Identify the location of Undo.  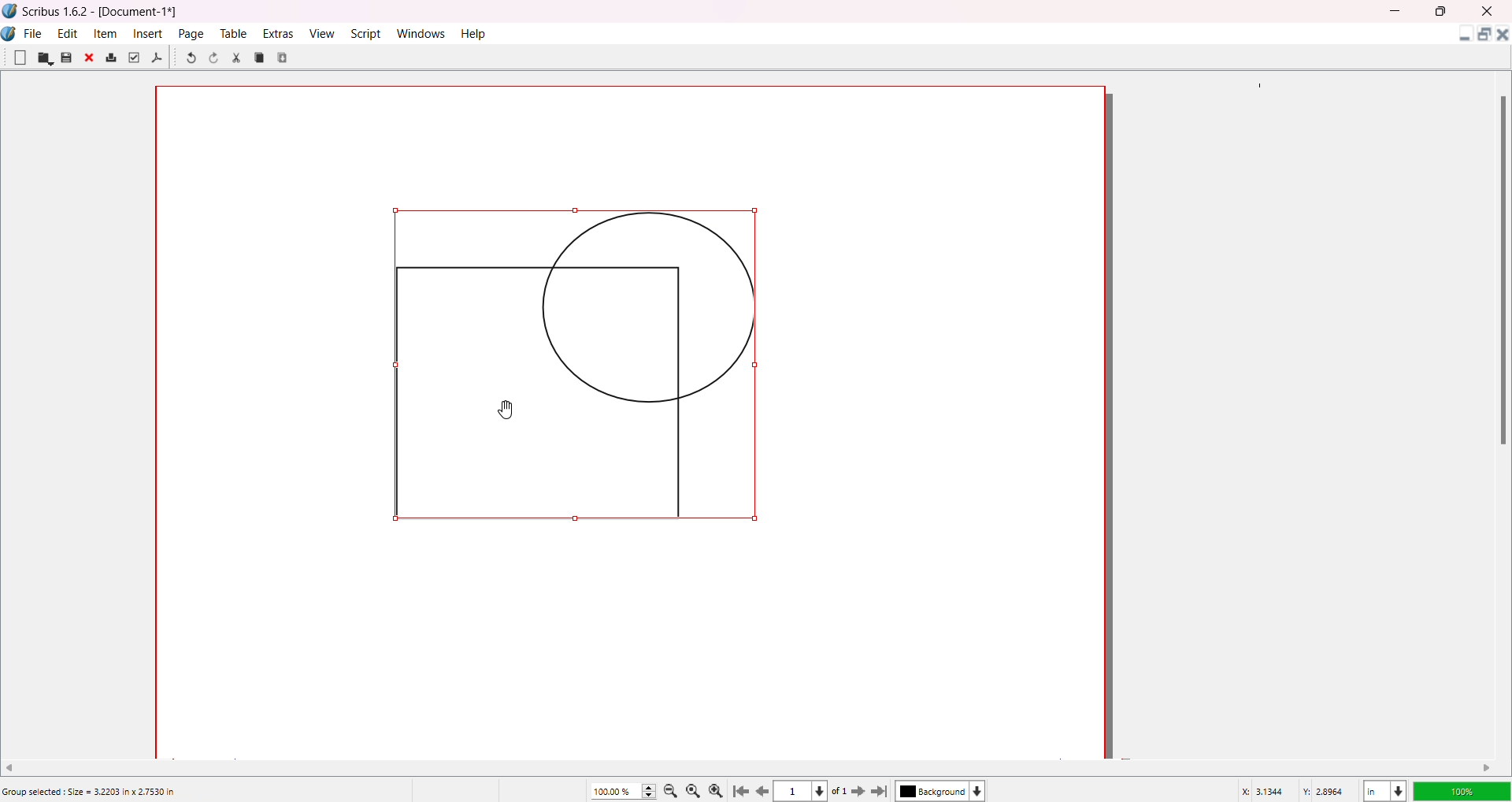
(190, 59).